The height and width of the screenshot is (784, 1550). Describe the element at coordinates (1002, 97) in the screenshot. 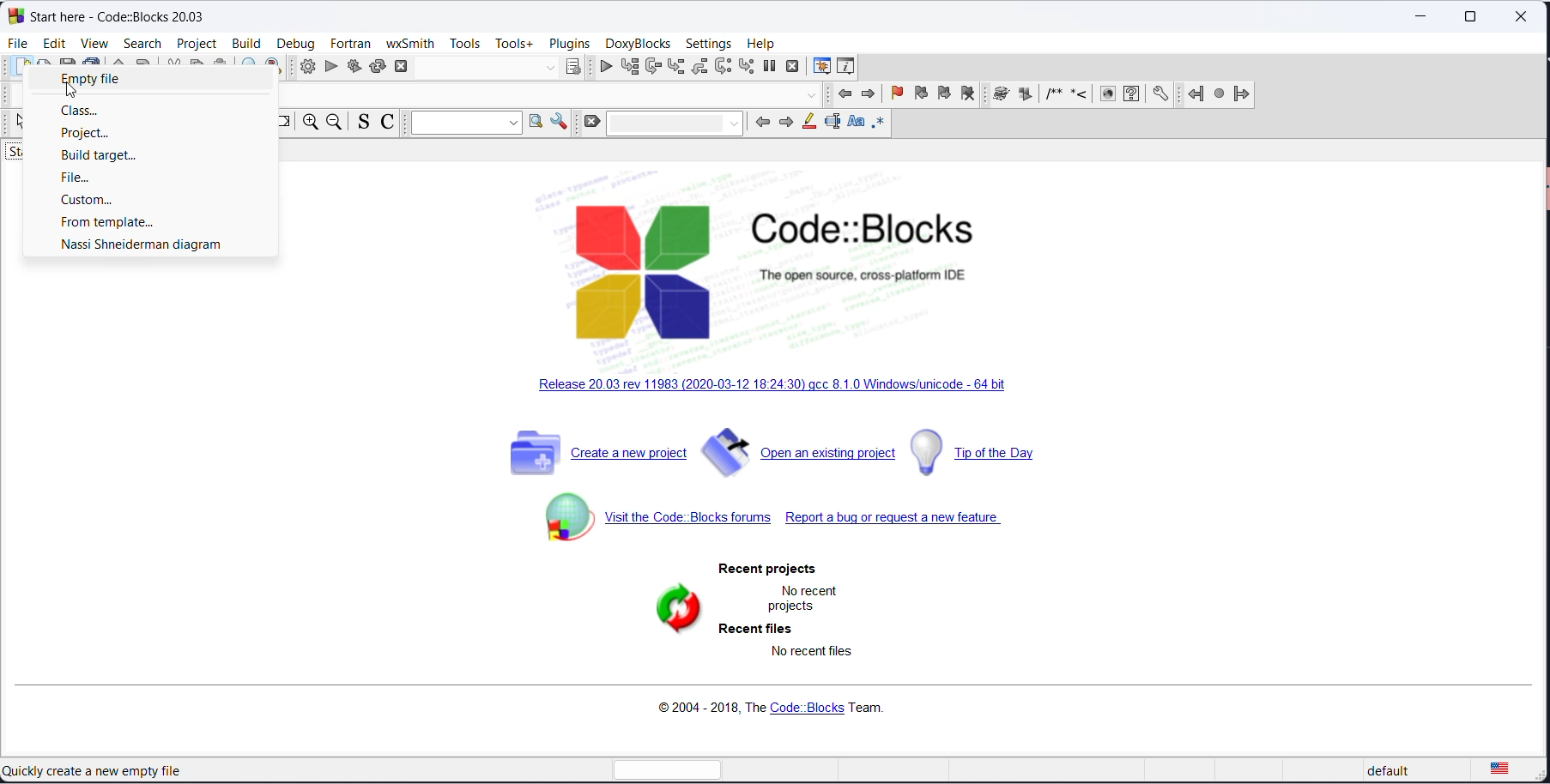

I see `Run doxywizard` at that location.